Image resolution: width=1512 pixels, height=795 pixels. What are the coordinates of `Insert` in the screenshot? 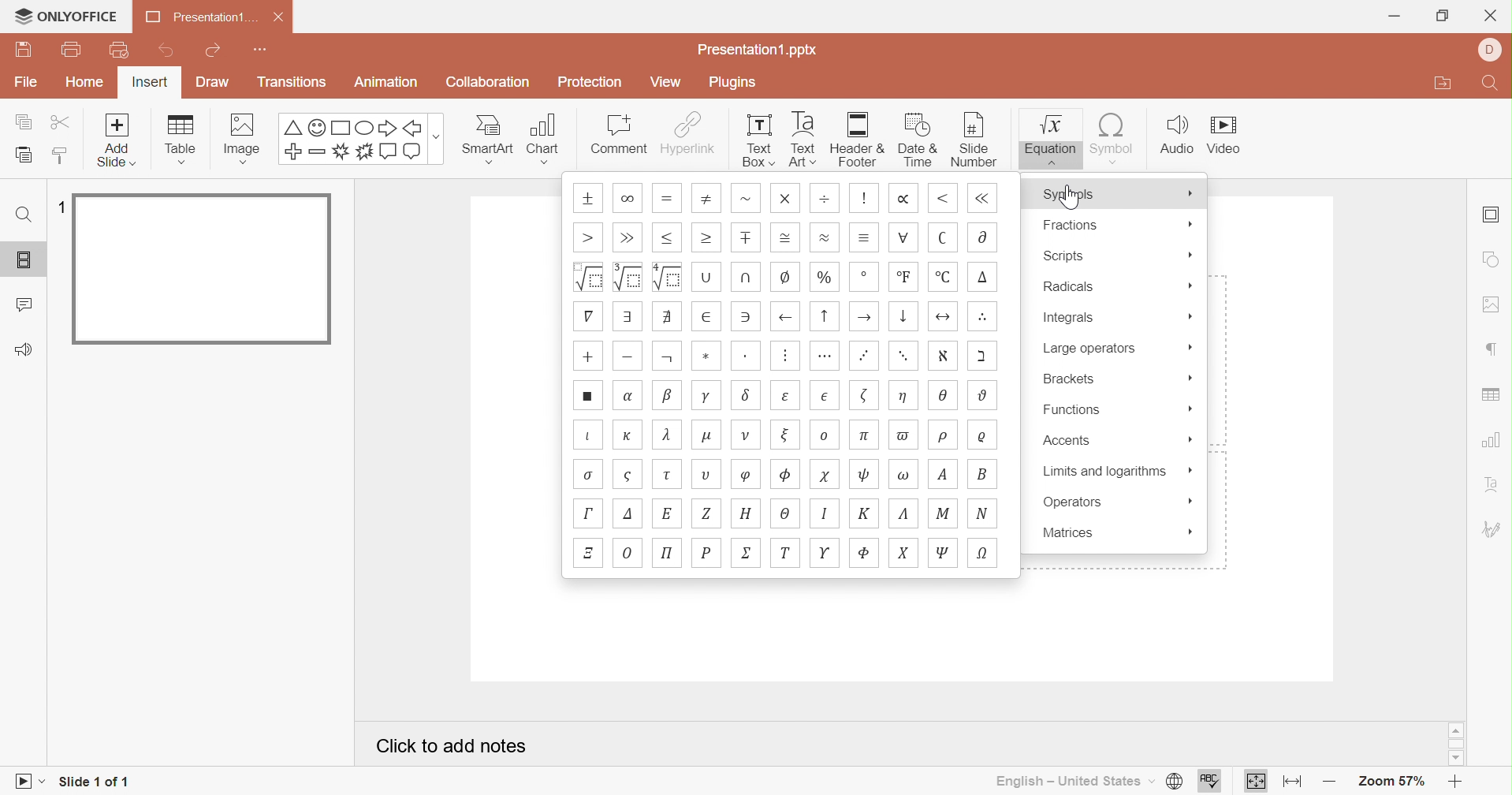 It's located at (151, 82).